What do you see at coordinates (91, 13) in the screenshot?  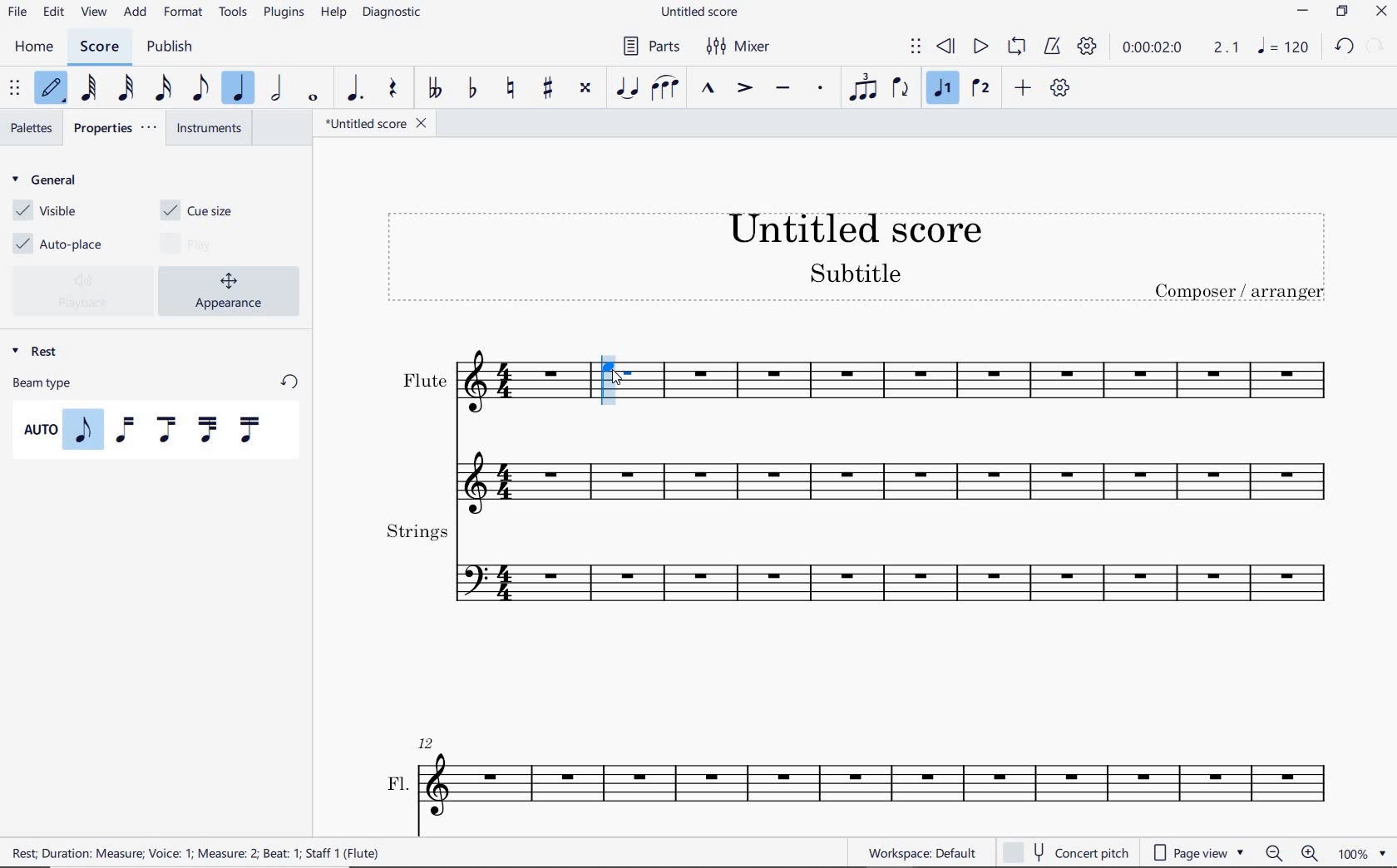 I see `view` at bounding box center [91, 13].